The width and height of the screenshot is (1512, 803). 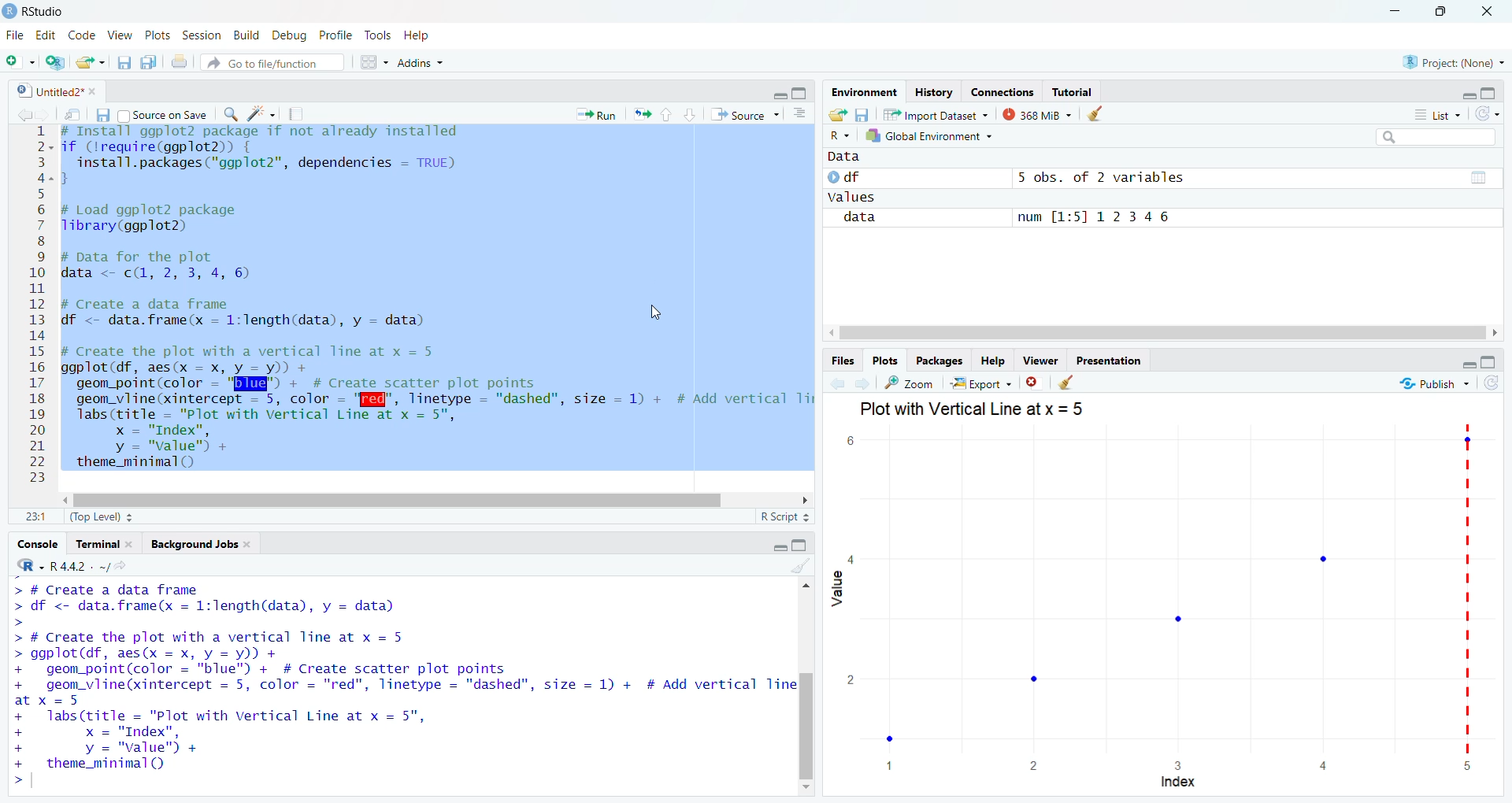 What do you see at coordinates (772, 547) in the screenshot?
I see `minimise` at bounding box center [772, 547].